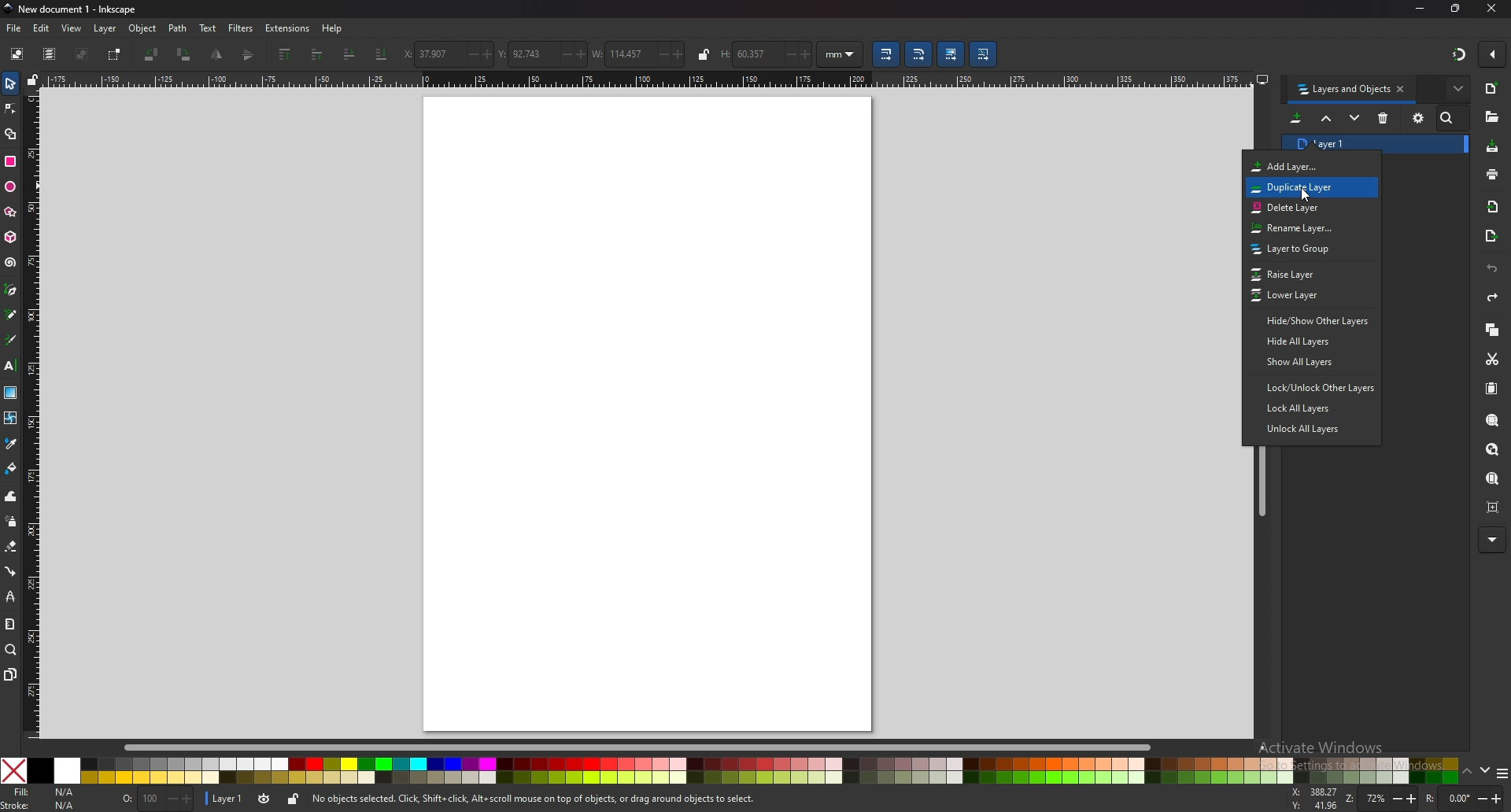  Describe the element at coordinates (1343, 90) in the screenshot. I see `layers and objects` at that location.